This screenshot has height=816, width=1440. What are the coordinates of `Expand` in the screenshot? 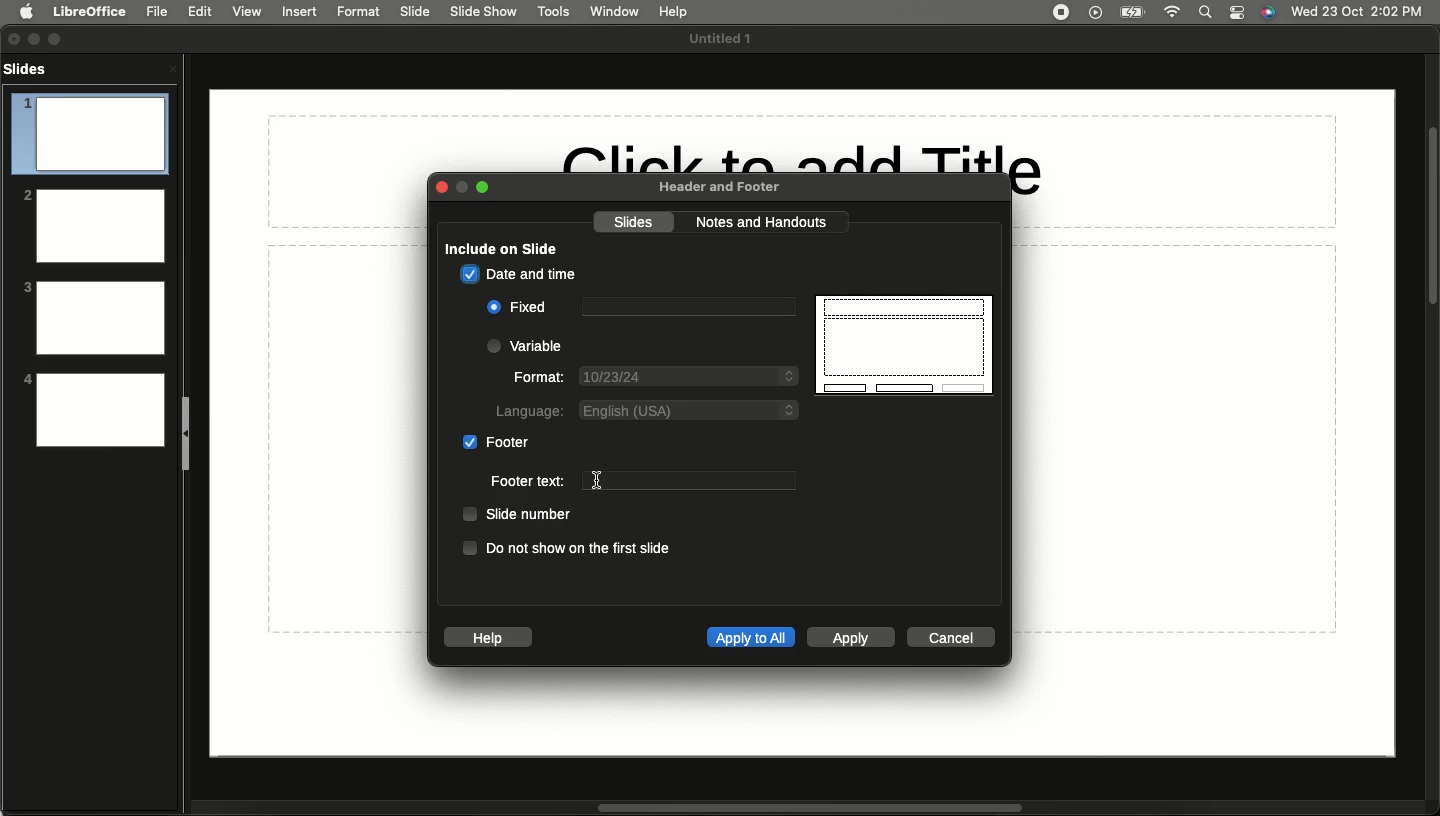 It's located at (490, 187).